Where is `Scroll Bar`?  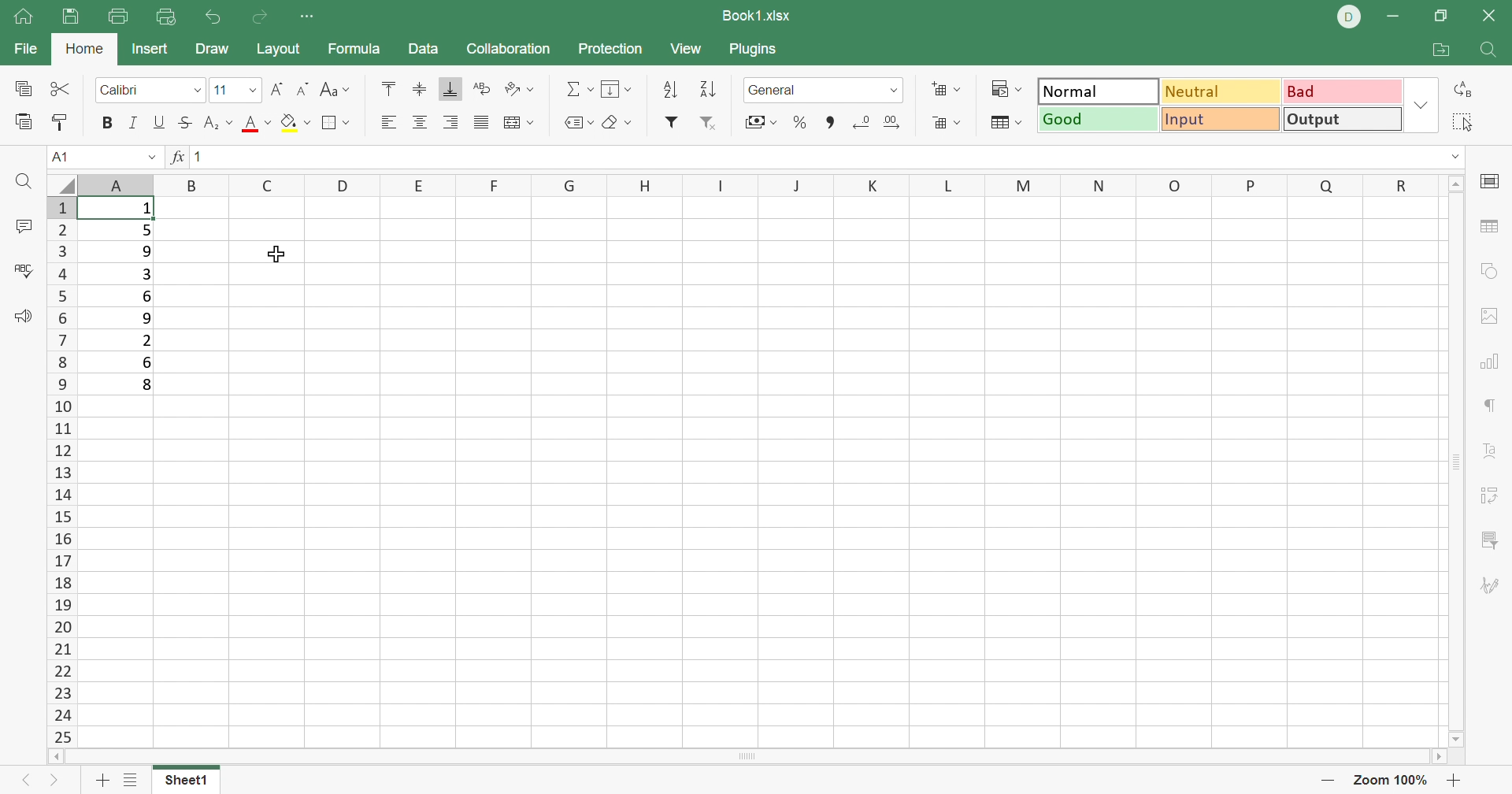 Scroll Bar is located at coordinates (1458, 462).